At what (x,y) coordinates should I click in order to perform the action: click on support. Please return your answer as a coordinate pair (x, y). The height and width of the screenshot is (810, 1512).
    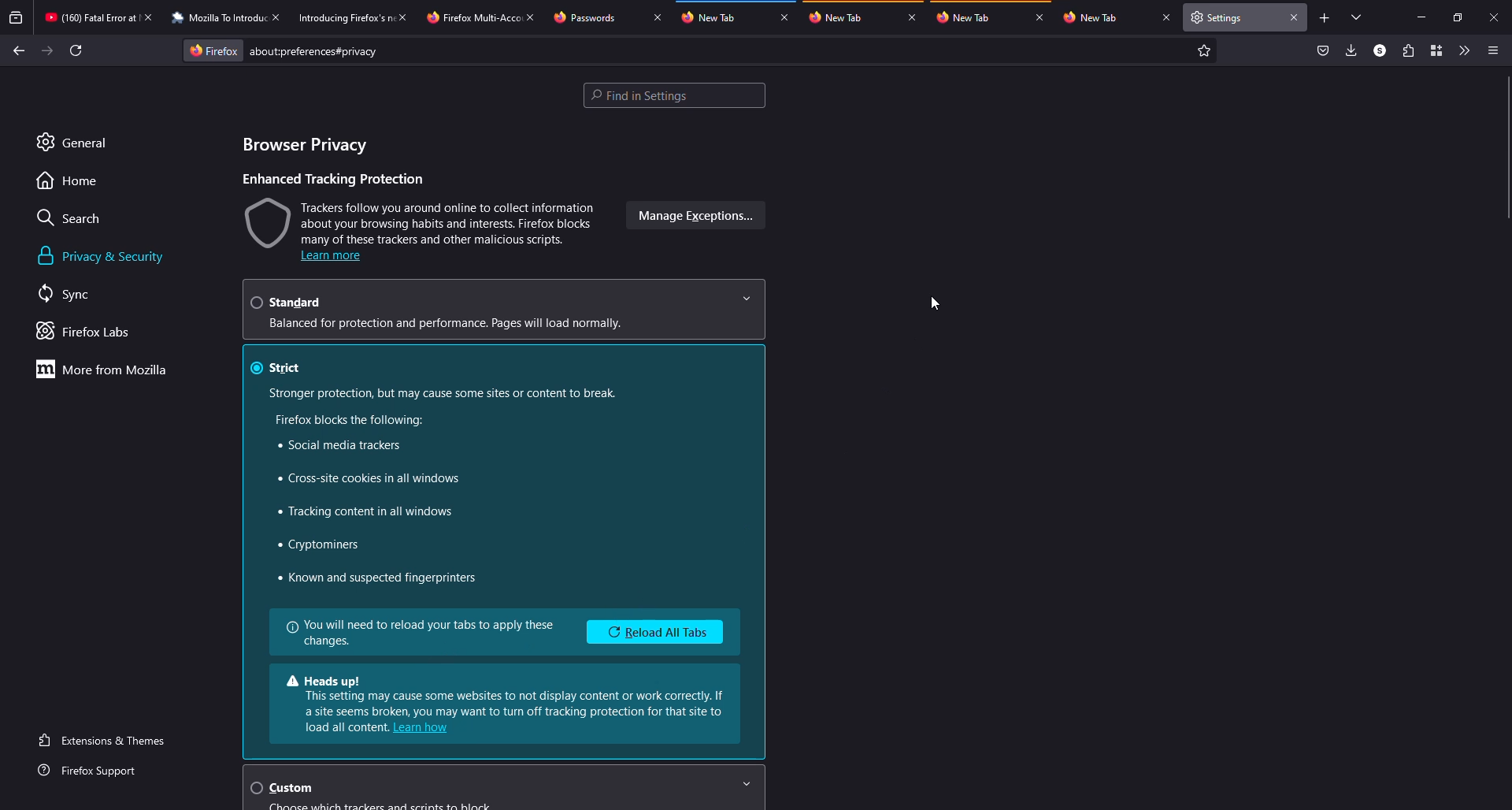
    Looking at the image, I should click on (96, 772).